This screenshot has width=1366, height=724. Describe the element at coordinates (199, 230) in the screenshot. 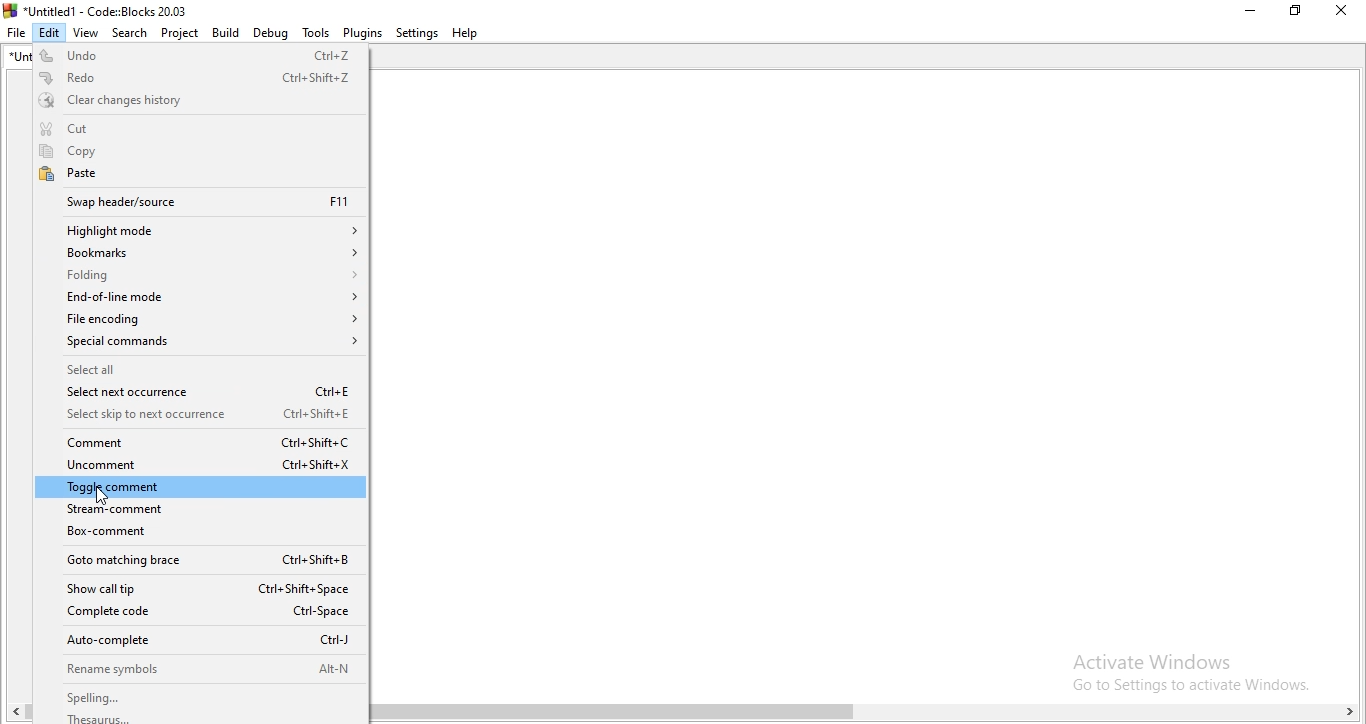

I see `Highlight mode` at that location.